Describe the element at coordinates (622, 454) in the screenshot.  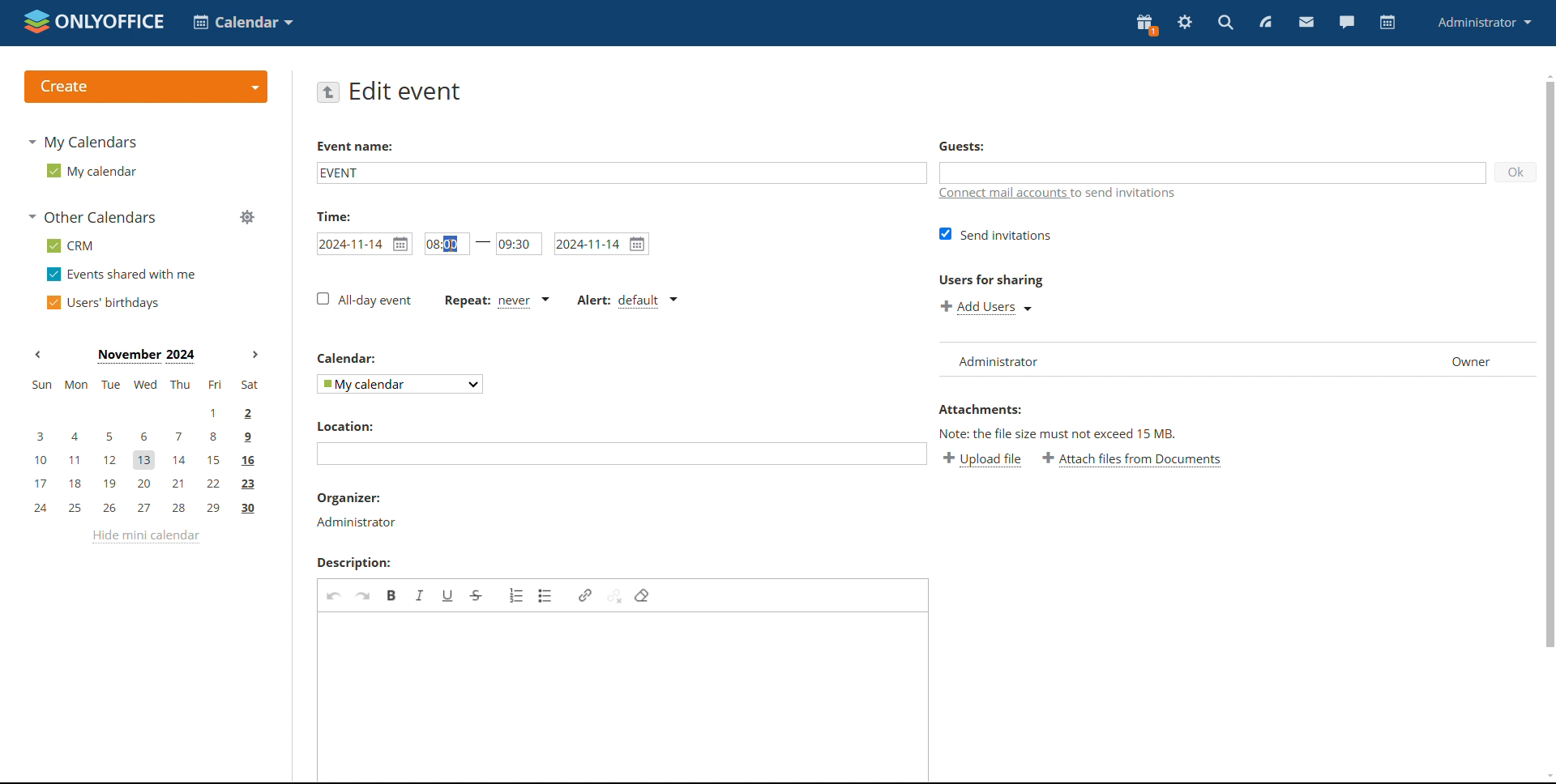
I see `add location` at that location.